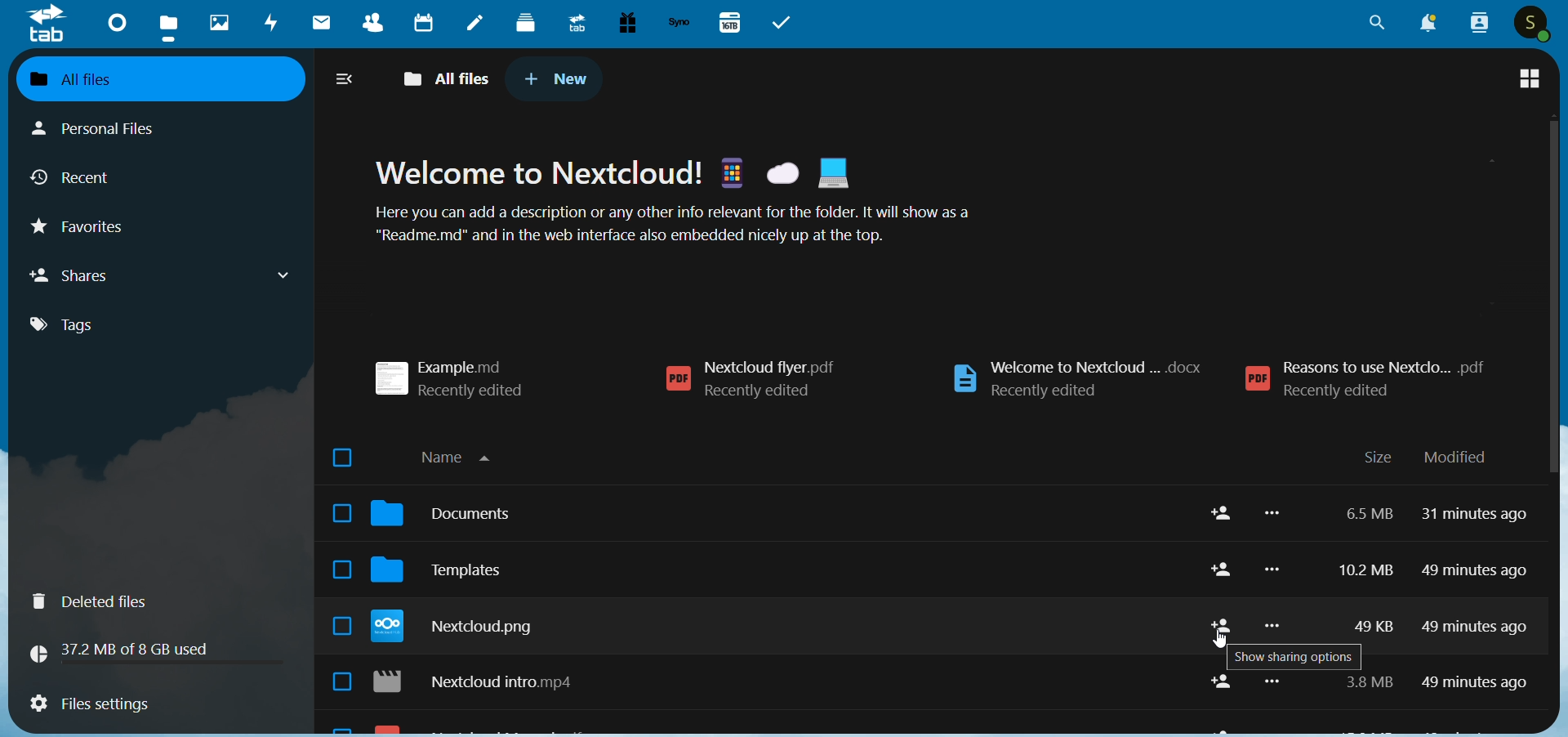  I want to click on collapse/expand, so click(346, 81).